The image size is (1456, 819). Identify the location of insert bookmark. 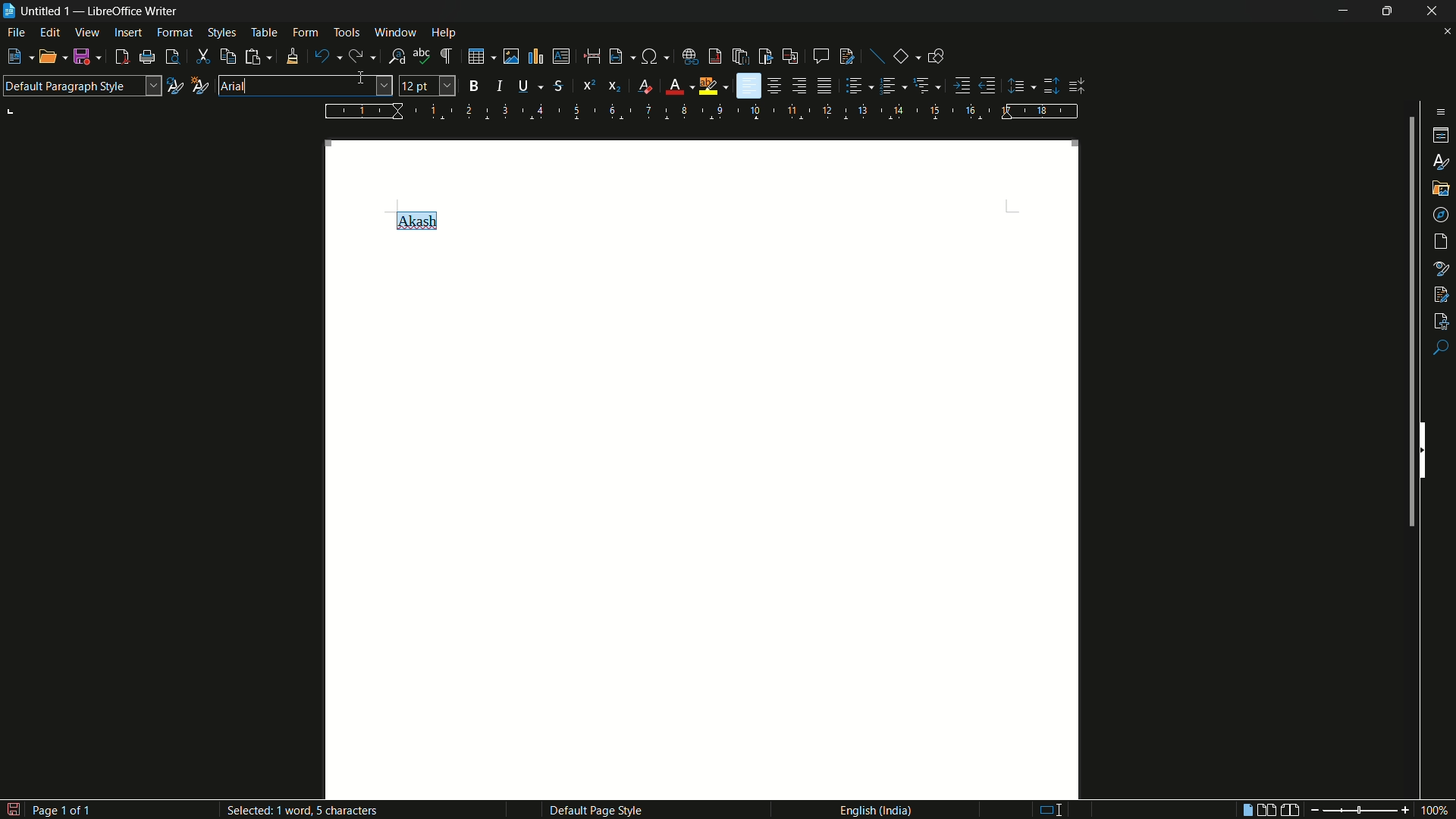
(766, 56).